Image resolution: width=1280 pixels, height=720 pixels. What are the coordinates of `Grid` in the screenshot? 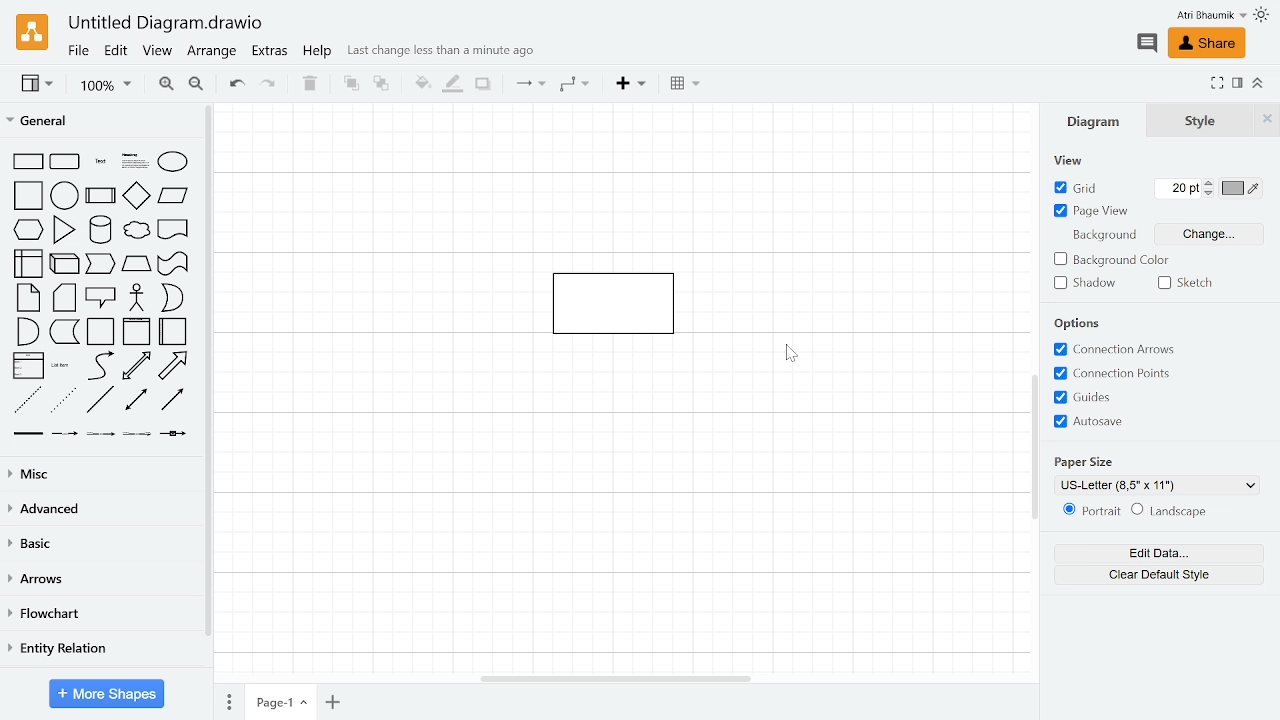 It's located at (1084, 187).